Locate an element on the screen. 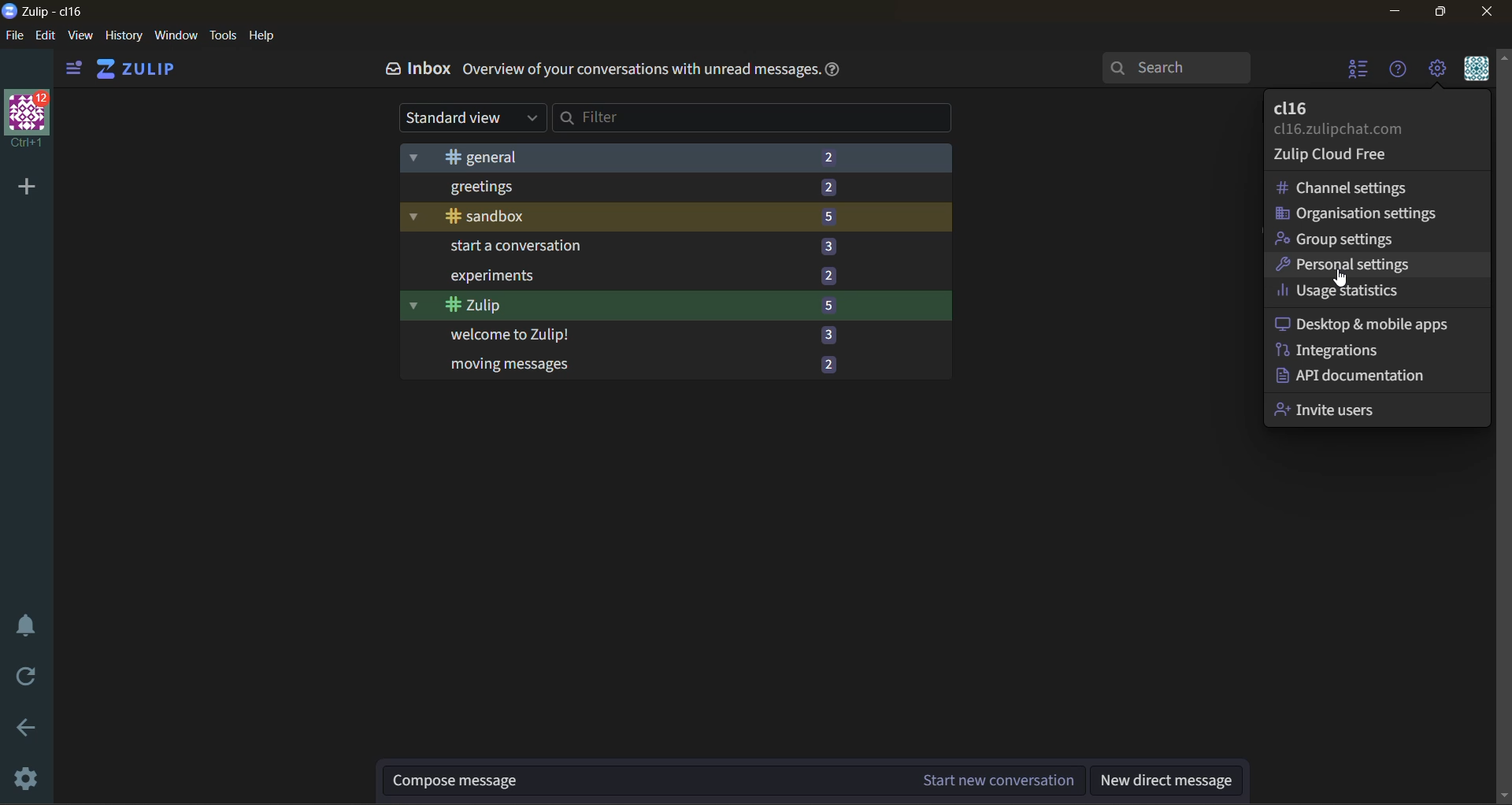 The image size is (1512, 805). invite users is located at coordinates (1337, 409).